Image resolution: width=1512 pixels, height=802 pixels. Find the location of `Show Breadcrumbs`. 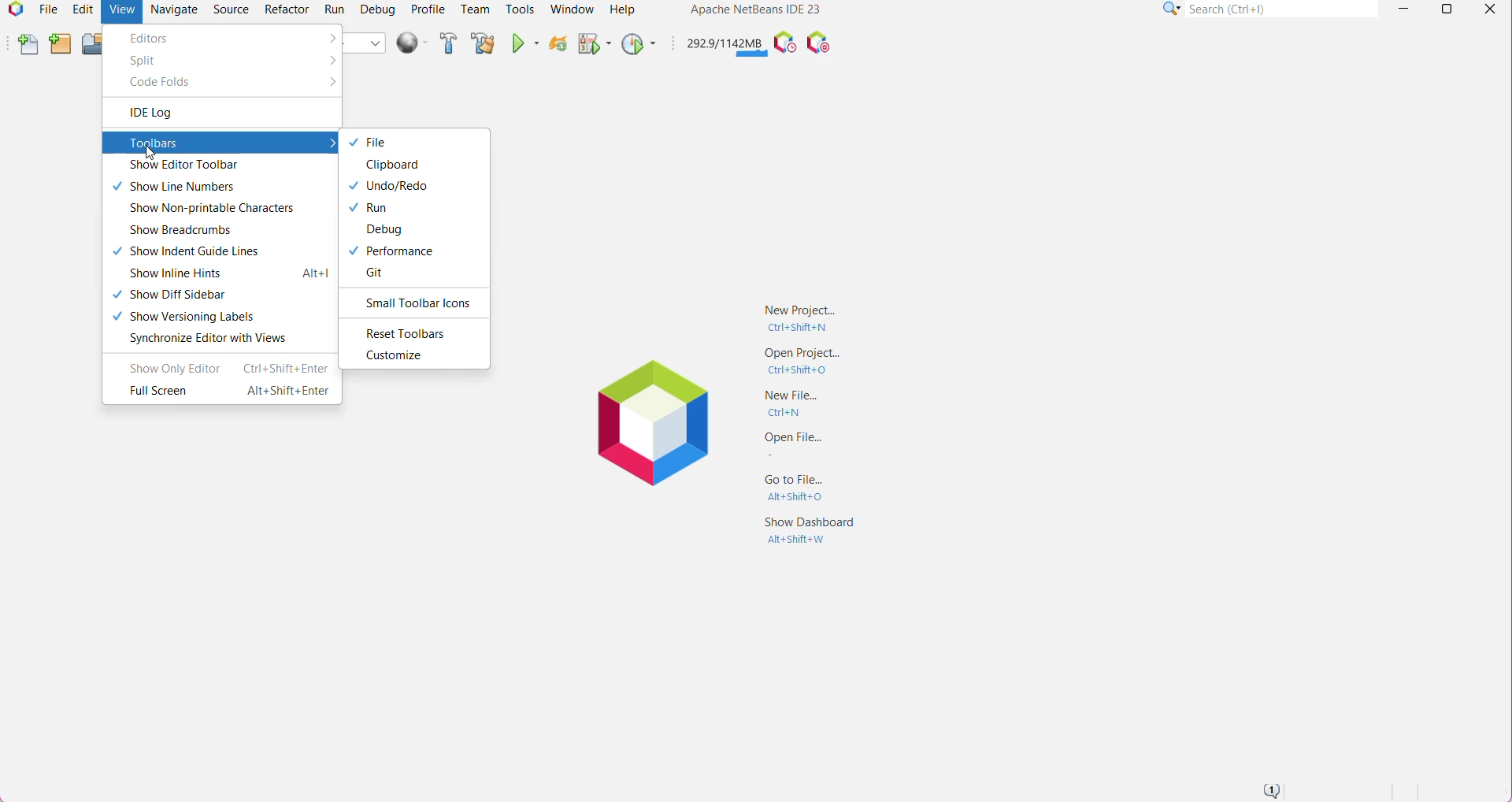

Show Breadcrumbs is located at coordinates (179, 232).